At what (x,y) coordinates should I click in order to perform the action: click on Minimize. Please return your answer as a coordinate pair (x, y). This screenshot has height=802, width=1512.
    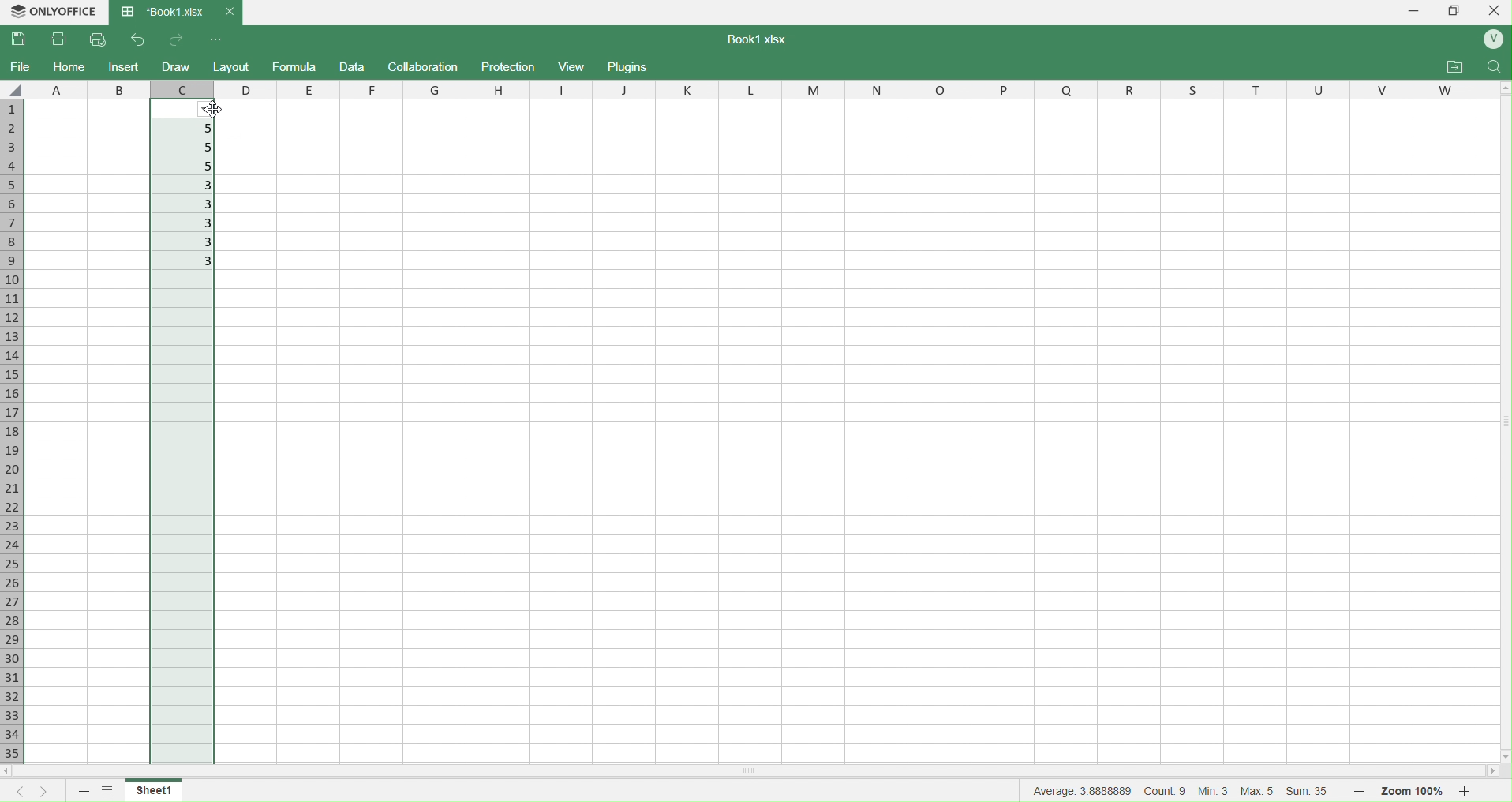
    Looking at the image, I should click on (1415, 11).